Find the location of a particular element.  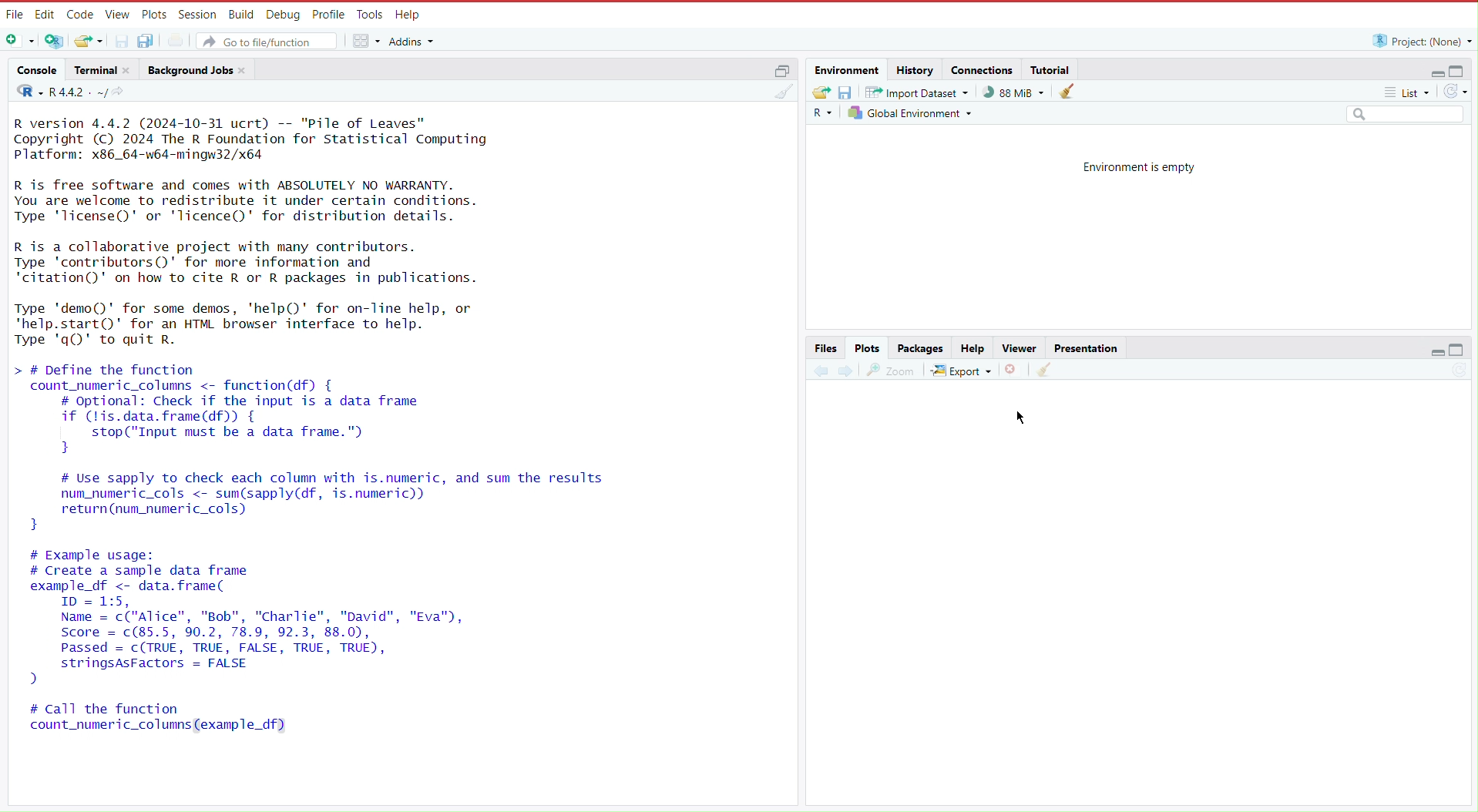

Code is located at coordinates (79, 15).